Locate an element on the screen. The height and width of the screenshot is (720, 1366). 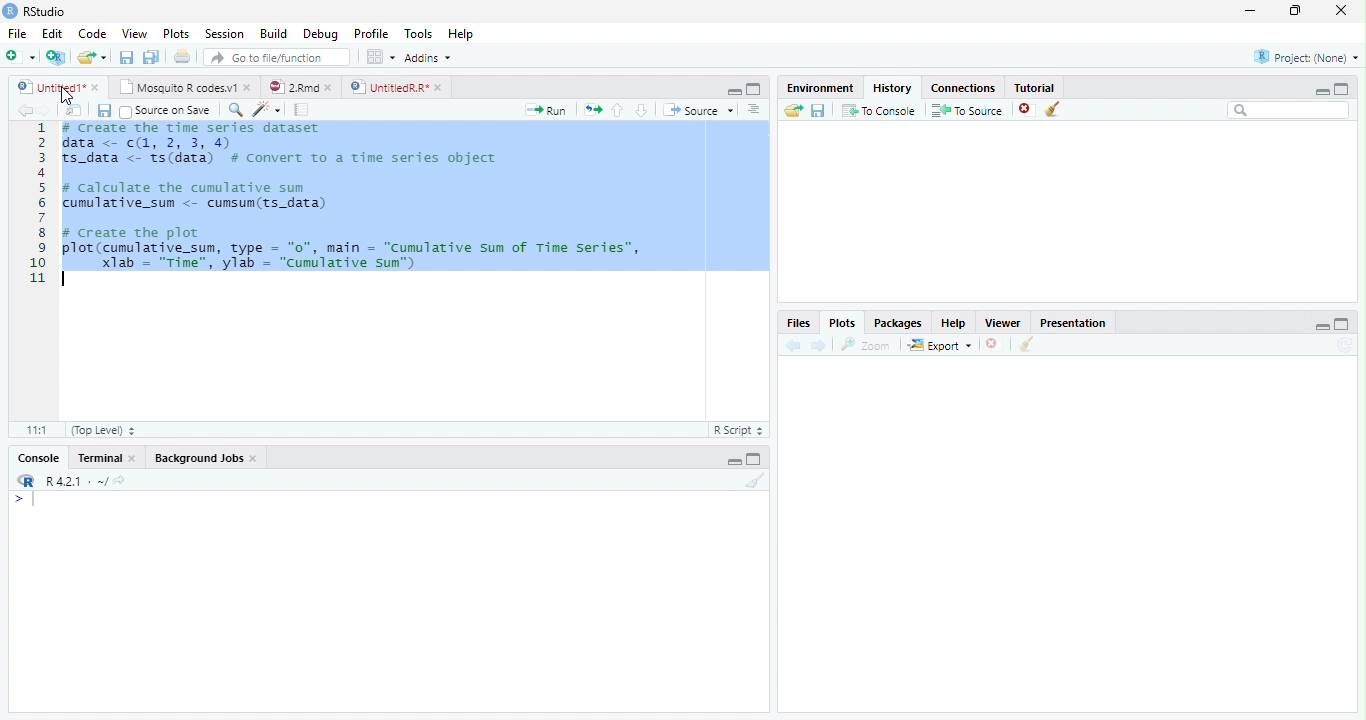
Next is located at coordinates (819, 349).